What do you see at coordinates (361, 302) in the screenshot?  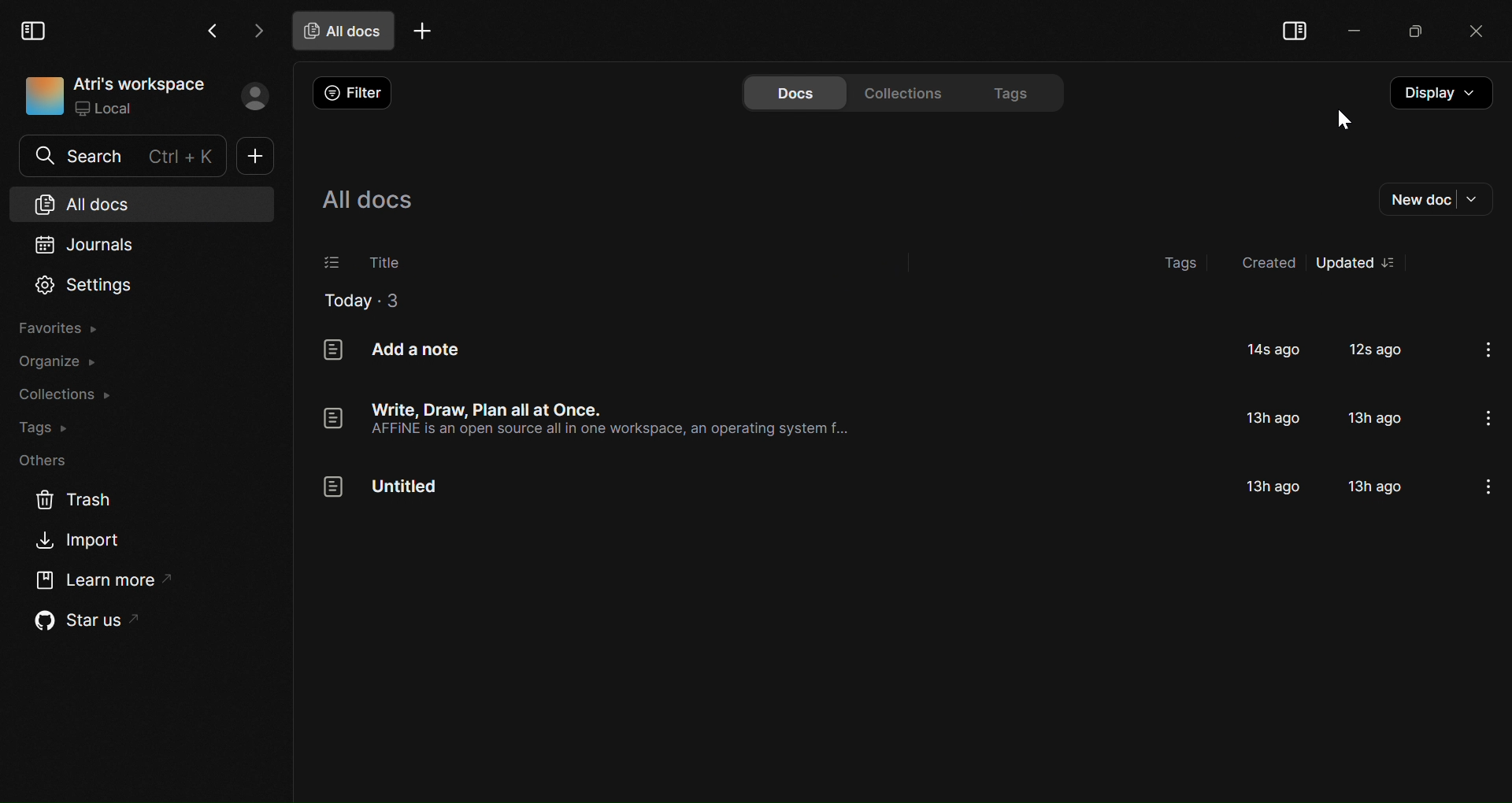 I see `Today 3` at bounding box center [361, 302].